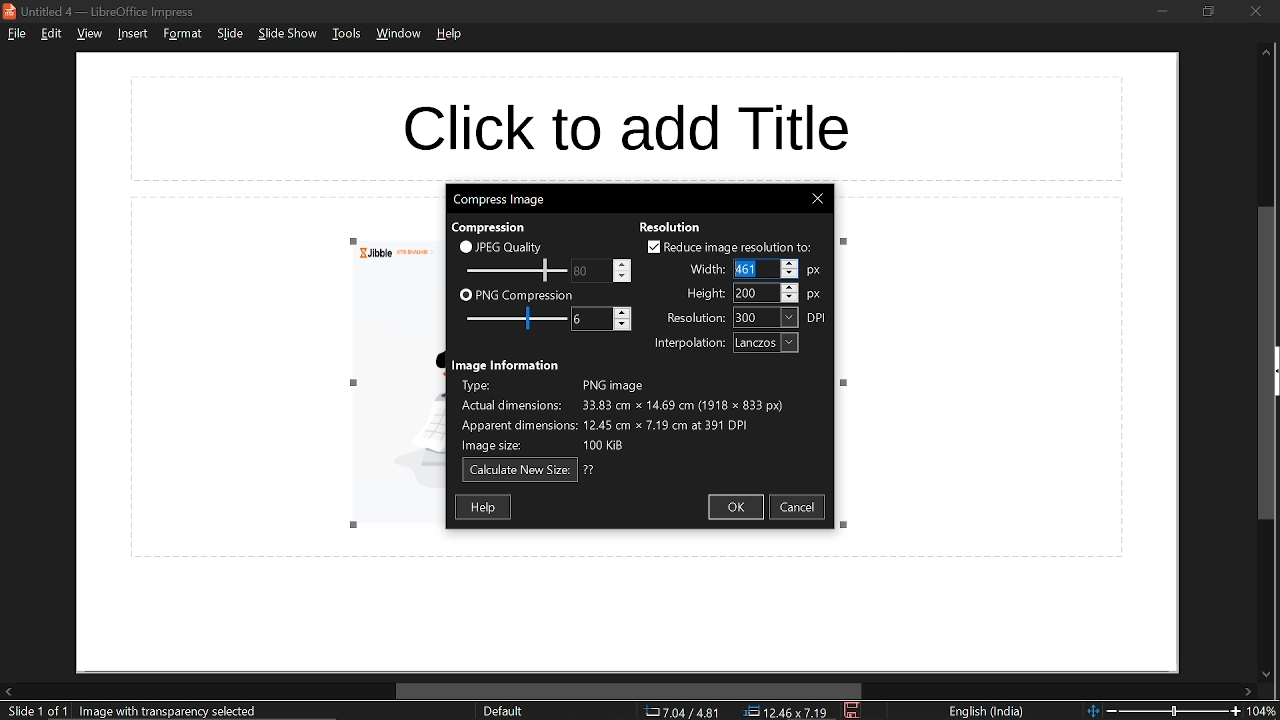  What do you see at coordinates (641, 414) in the screenshot?
I see `Image information` at bounding box center [641, 414].